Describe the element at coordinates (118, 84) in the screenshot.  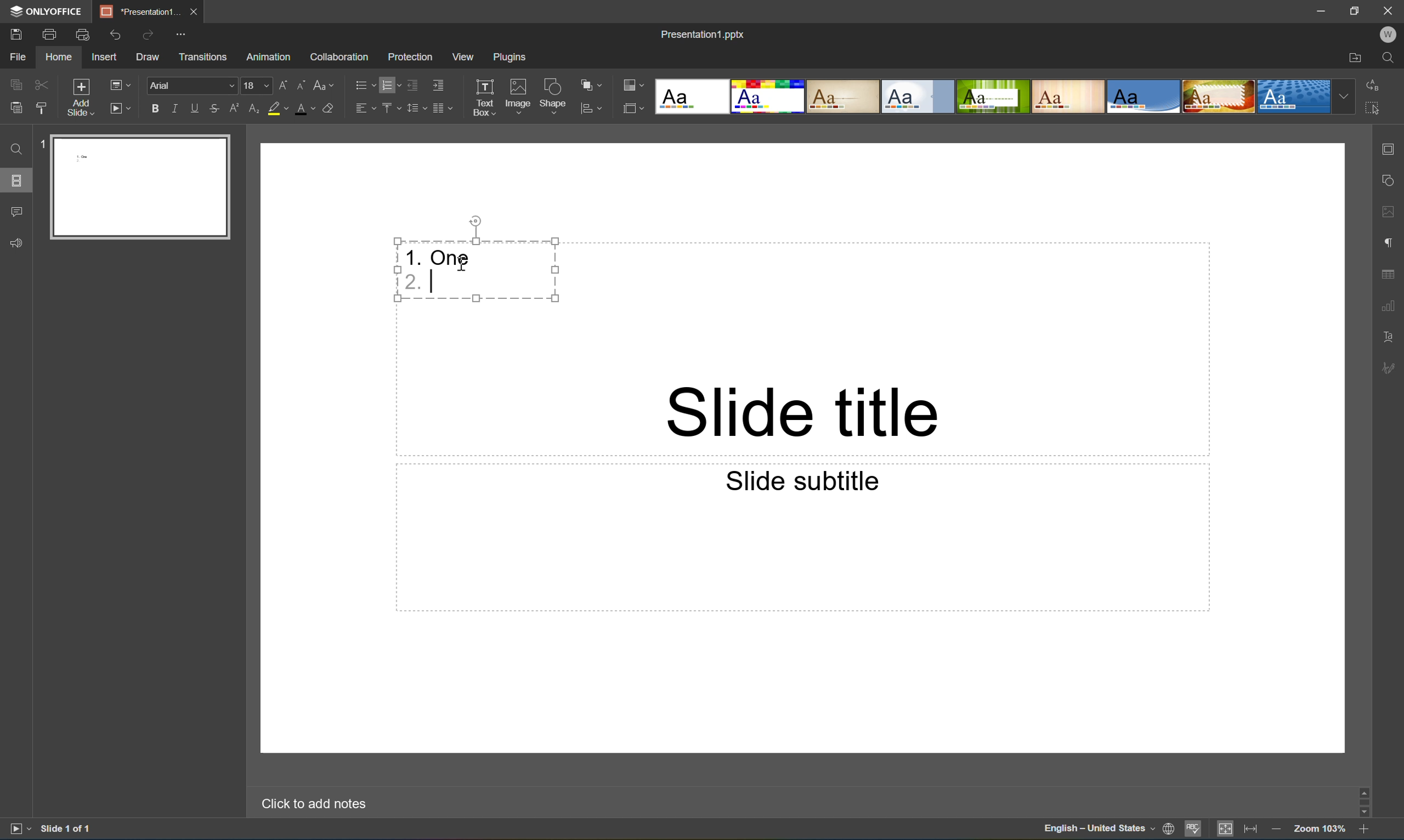
I see `Change slide layout` at that location.